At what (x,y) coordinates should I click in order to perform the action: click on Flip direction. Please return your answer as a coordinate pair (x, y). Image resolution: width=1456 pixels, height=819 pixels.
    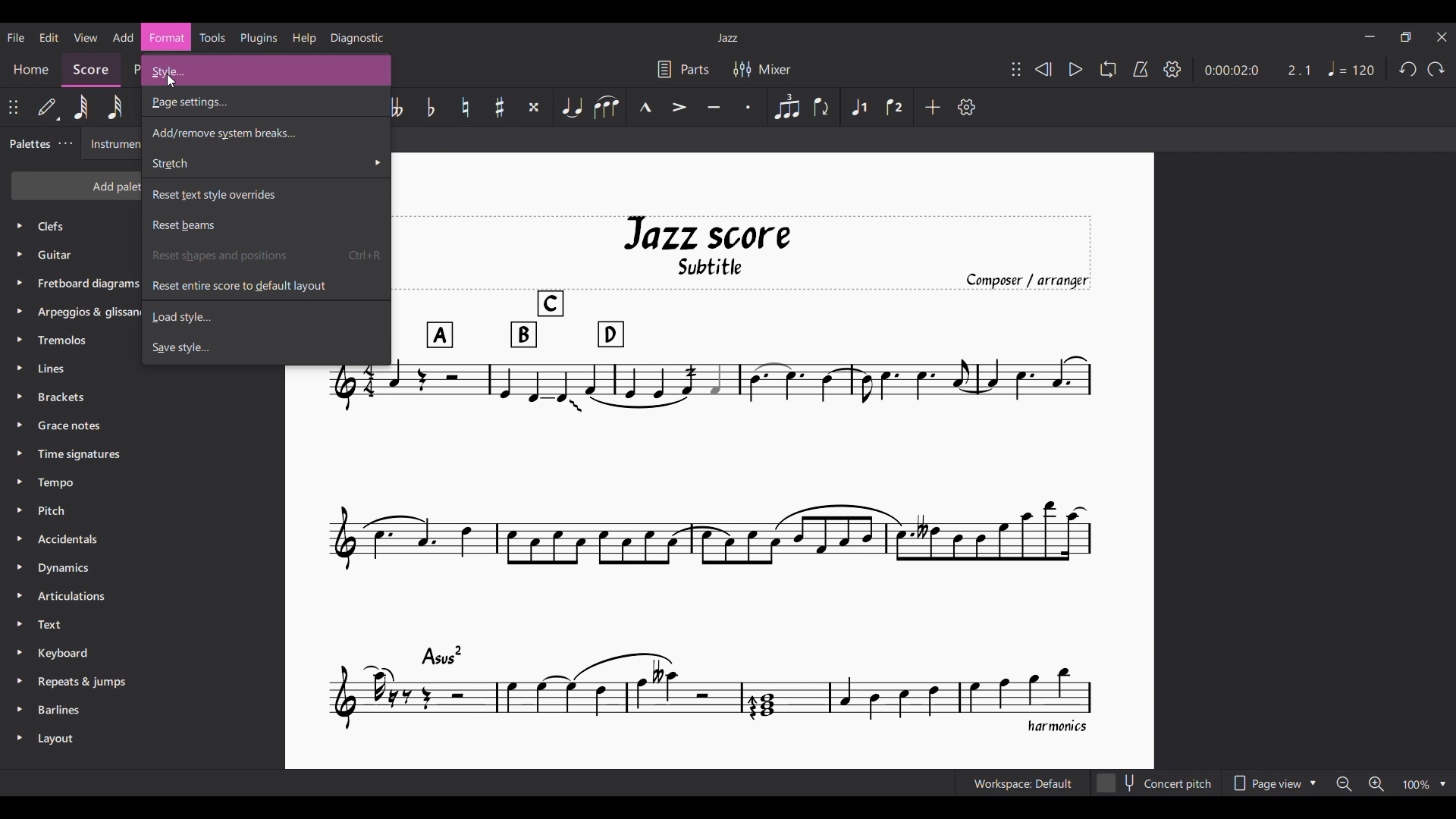
    Looking at the image, I should click on (824, 107).